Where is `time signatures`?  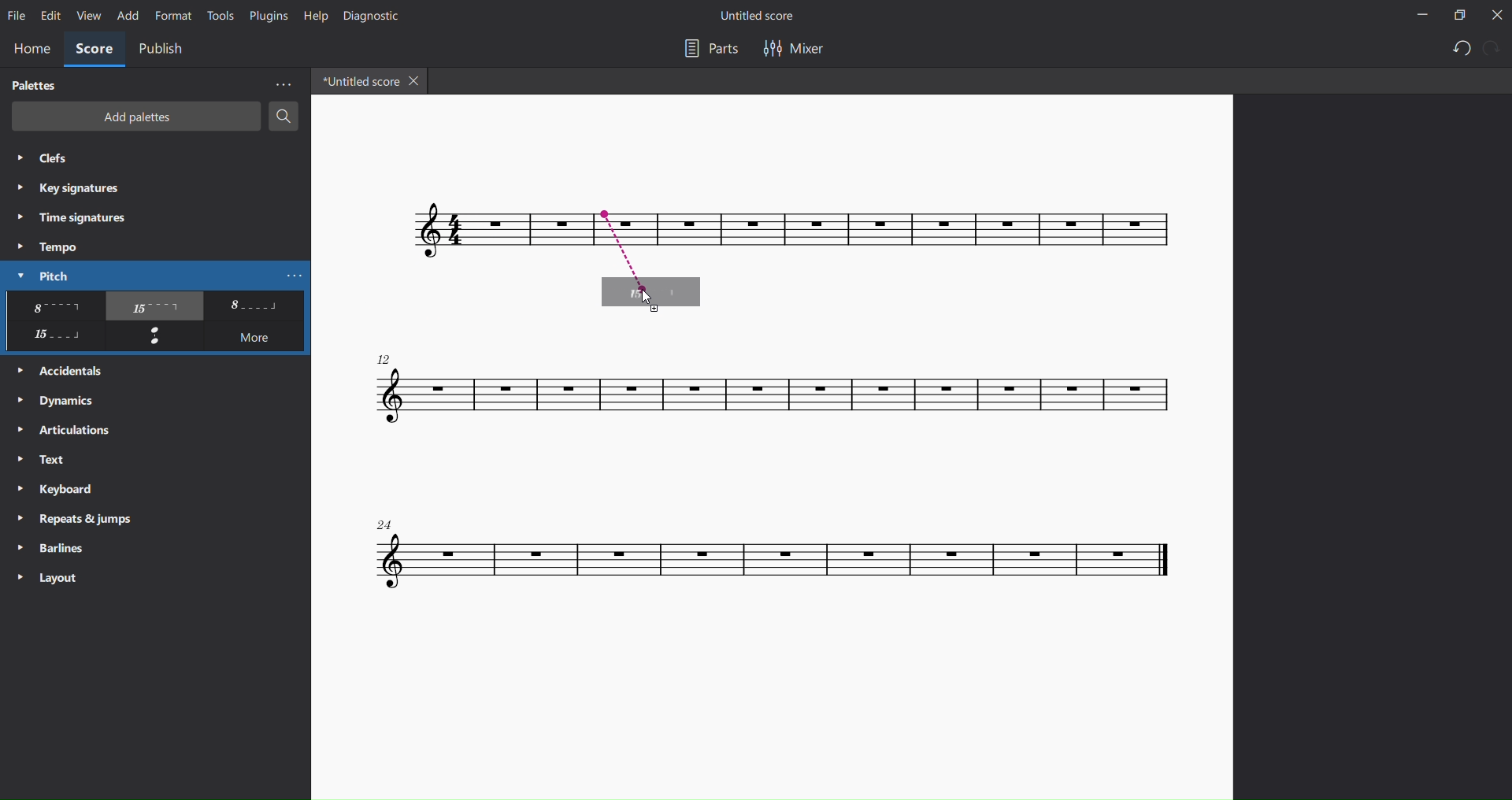
time signatures is located at coordinates (70, 219).